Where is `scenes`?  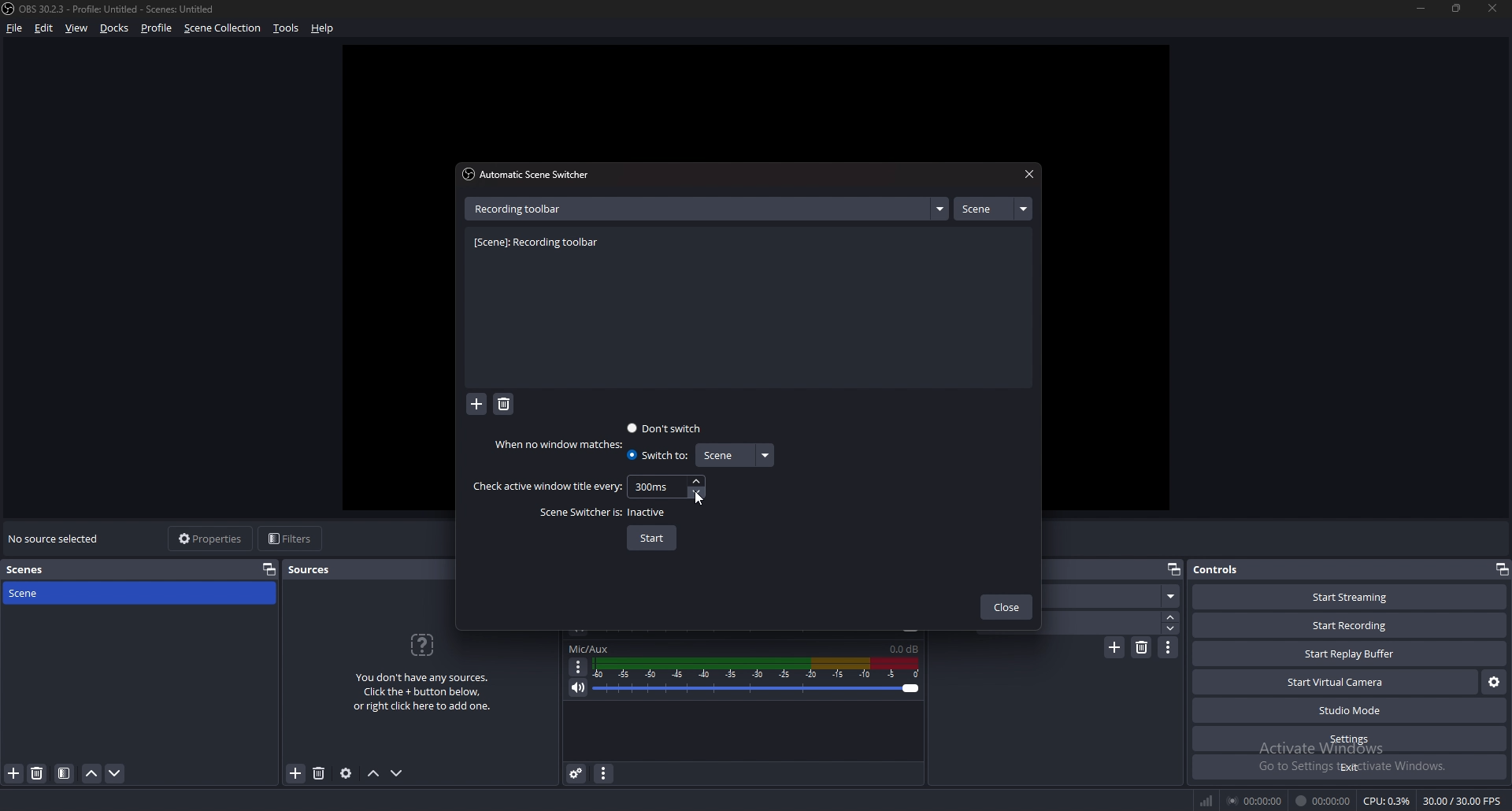 scenes is located at coordinates (39, 570).